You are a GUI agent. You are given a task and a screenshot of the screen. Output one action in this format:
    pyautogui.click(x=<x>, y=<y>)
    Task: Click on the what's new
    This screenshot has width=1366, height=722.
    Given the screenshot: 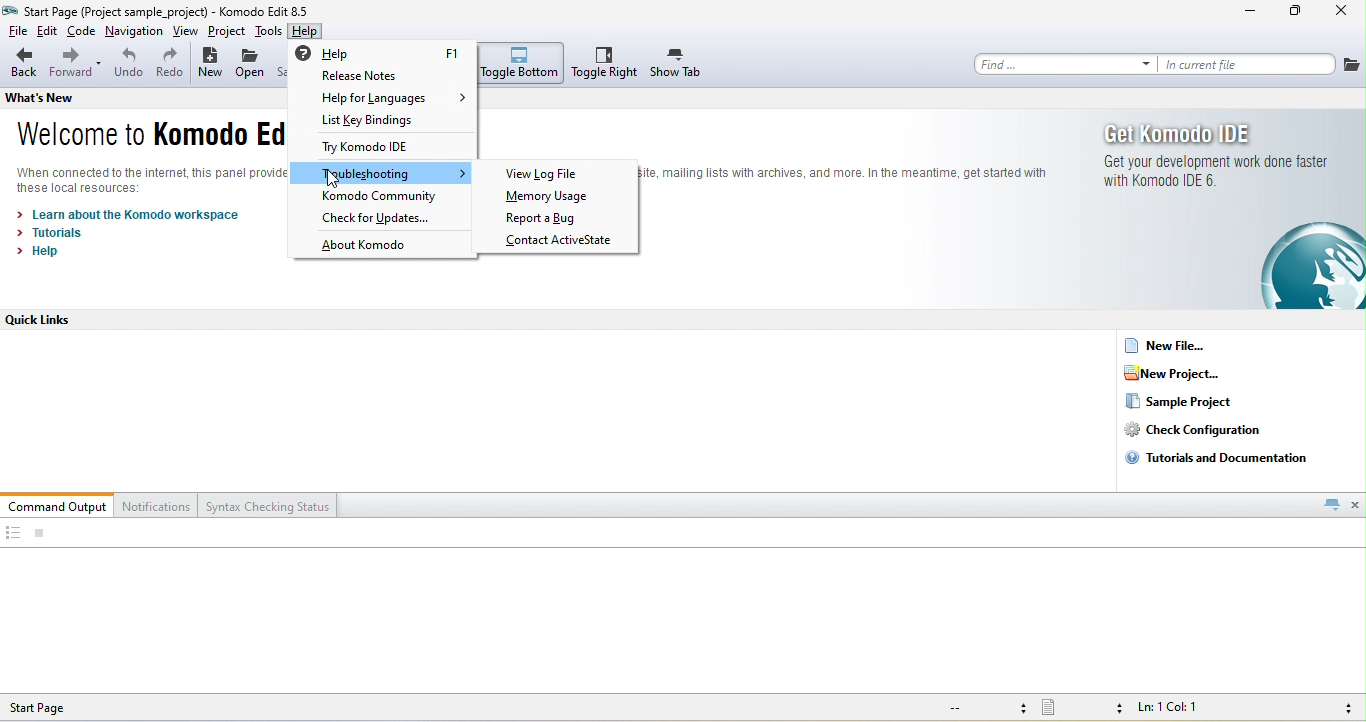 What is the action you would take?
    pyautogui.click(x=57, y=97)
    